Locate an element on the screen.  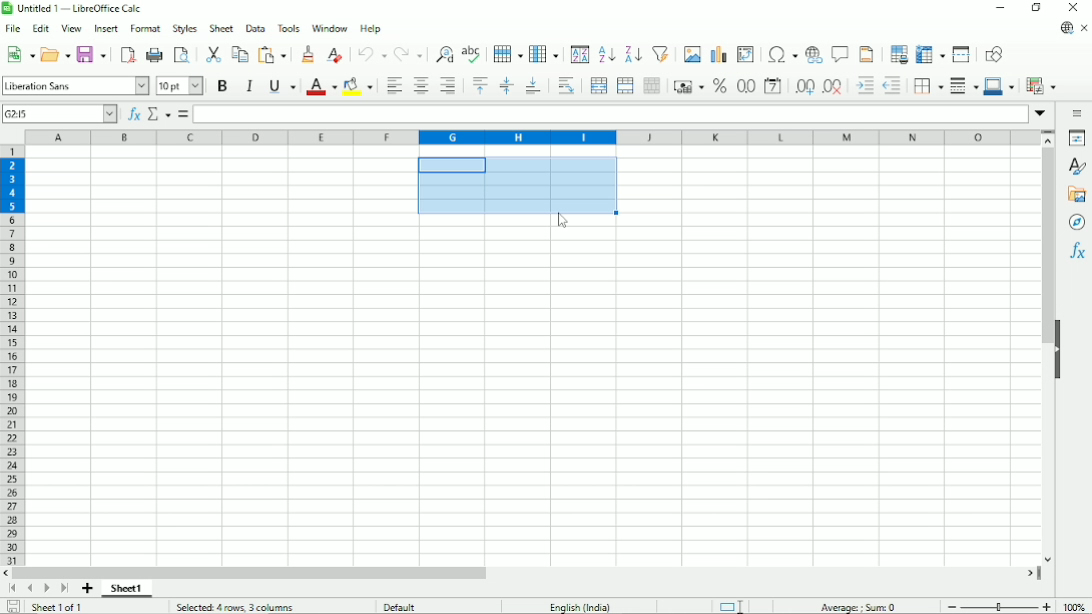
Row is located at coordinates (505, 53).